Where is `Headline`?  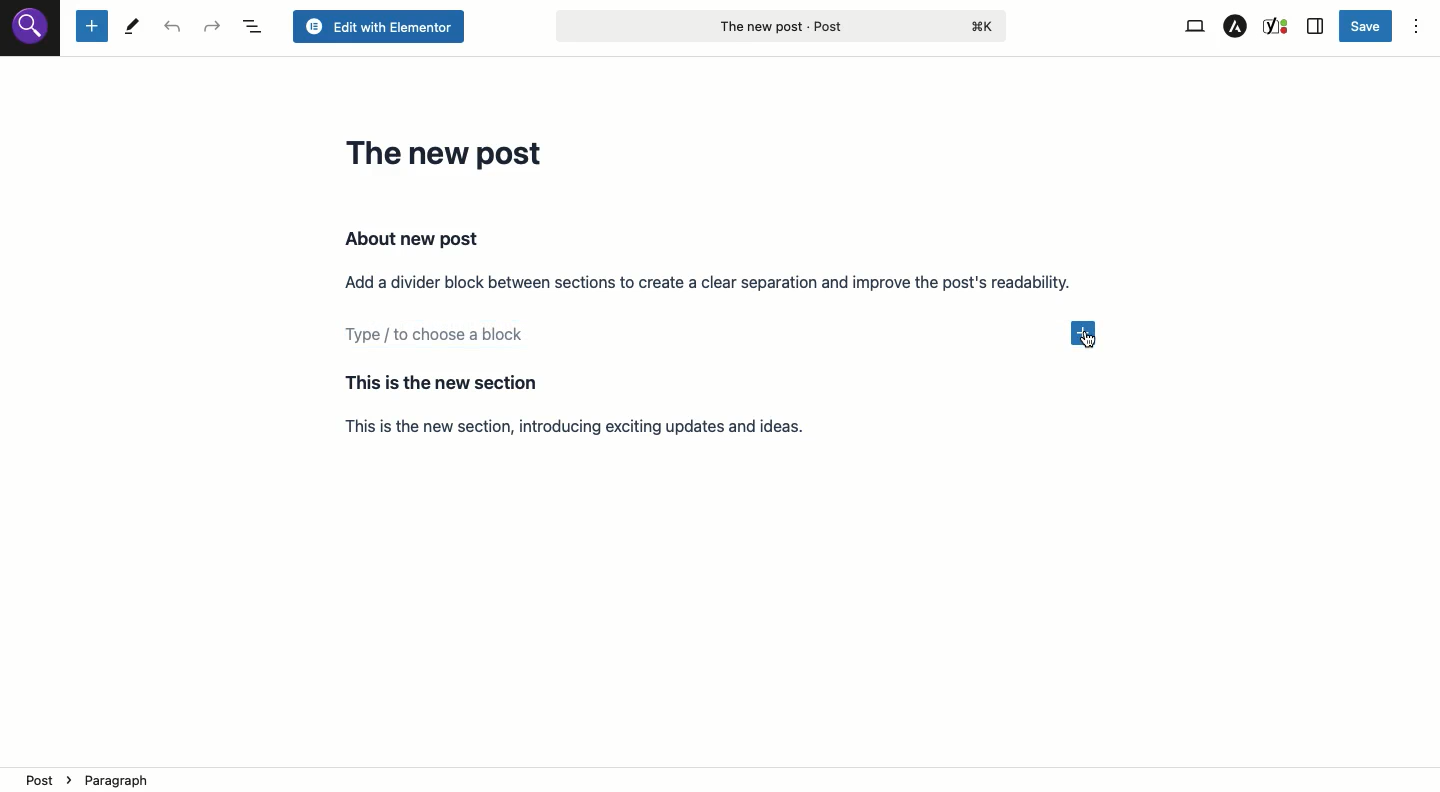
Headline is located at coordinates (449, 152).